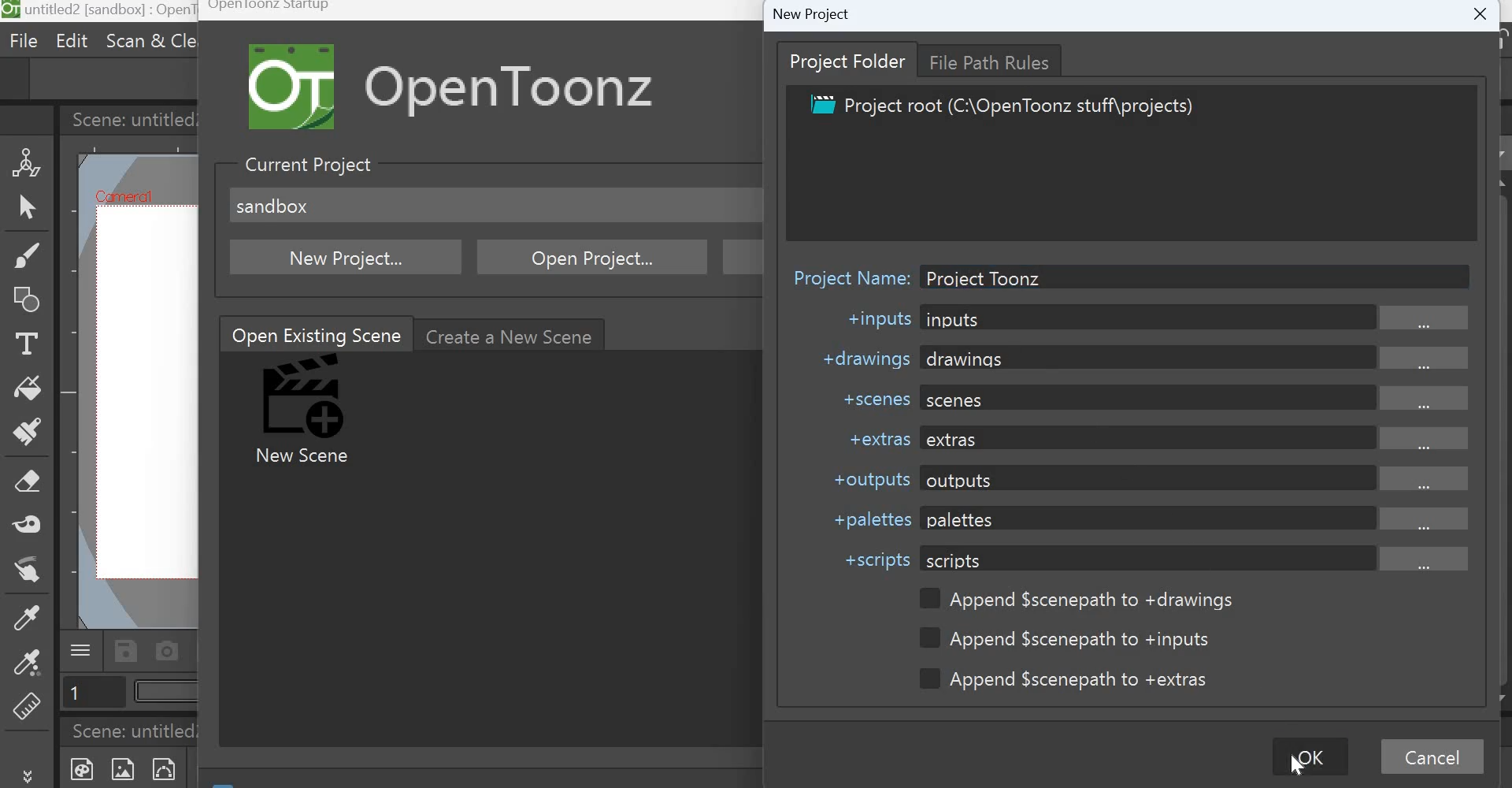 This screenshot has width=1512, height=788. I want to click on File, so click(26, 42).